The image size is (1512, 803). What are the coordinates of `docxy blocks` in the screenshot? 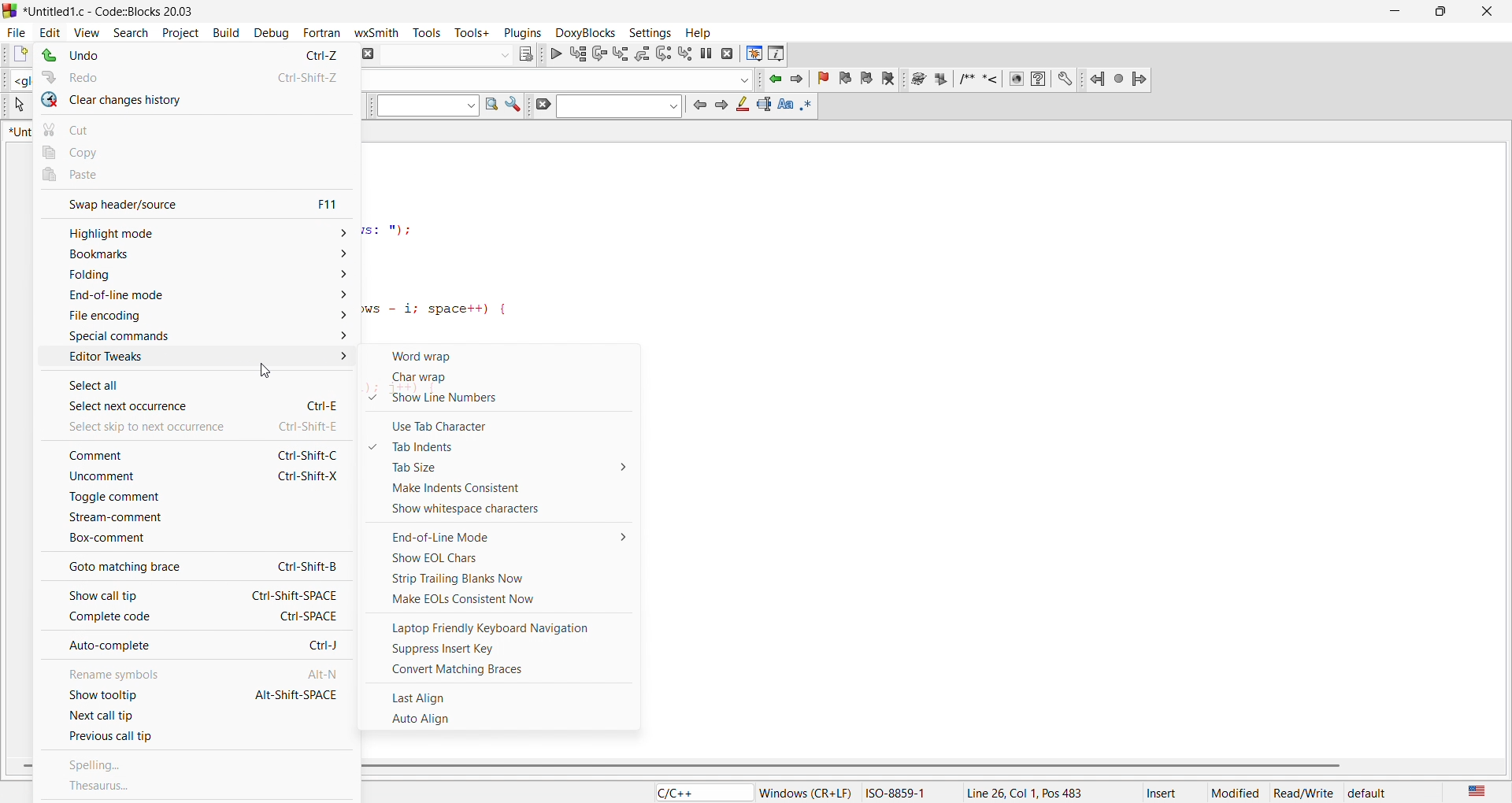 It's located at (991, 81).